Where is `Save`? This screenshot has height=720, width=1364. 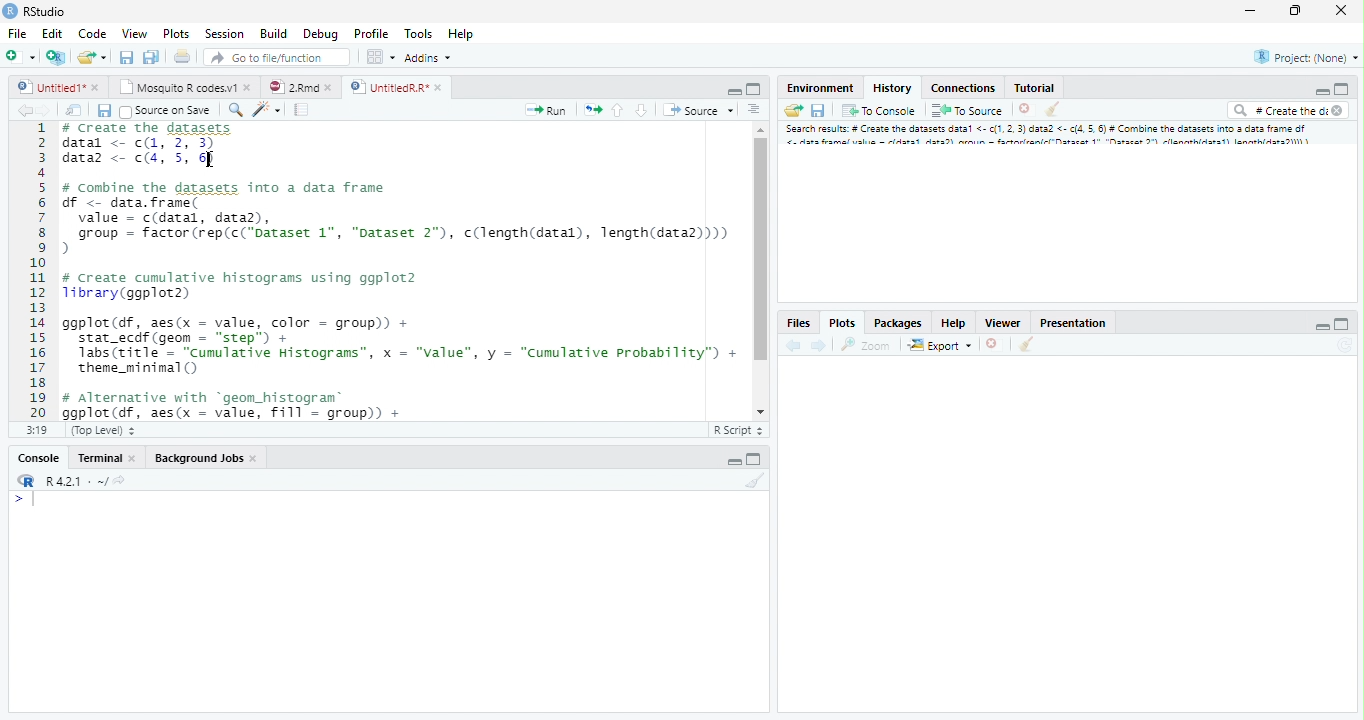
Save is located at coordinates (104, 111).